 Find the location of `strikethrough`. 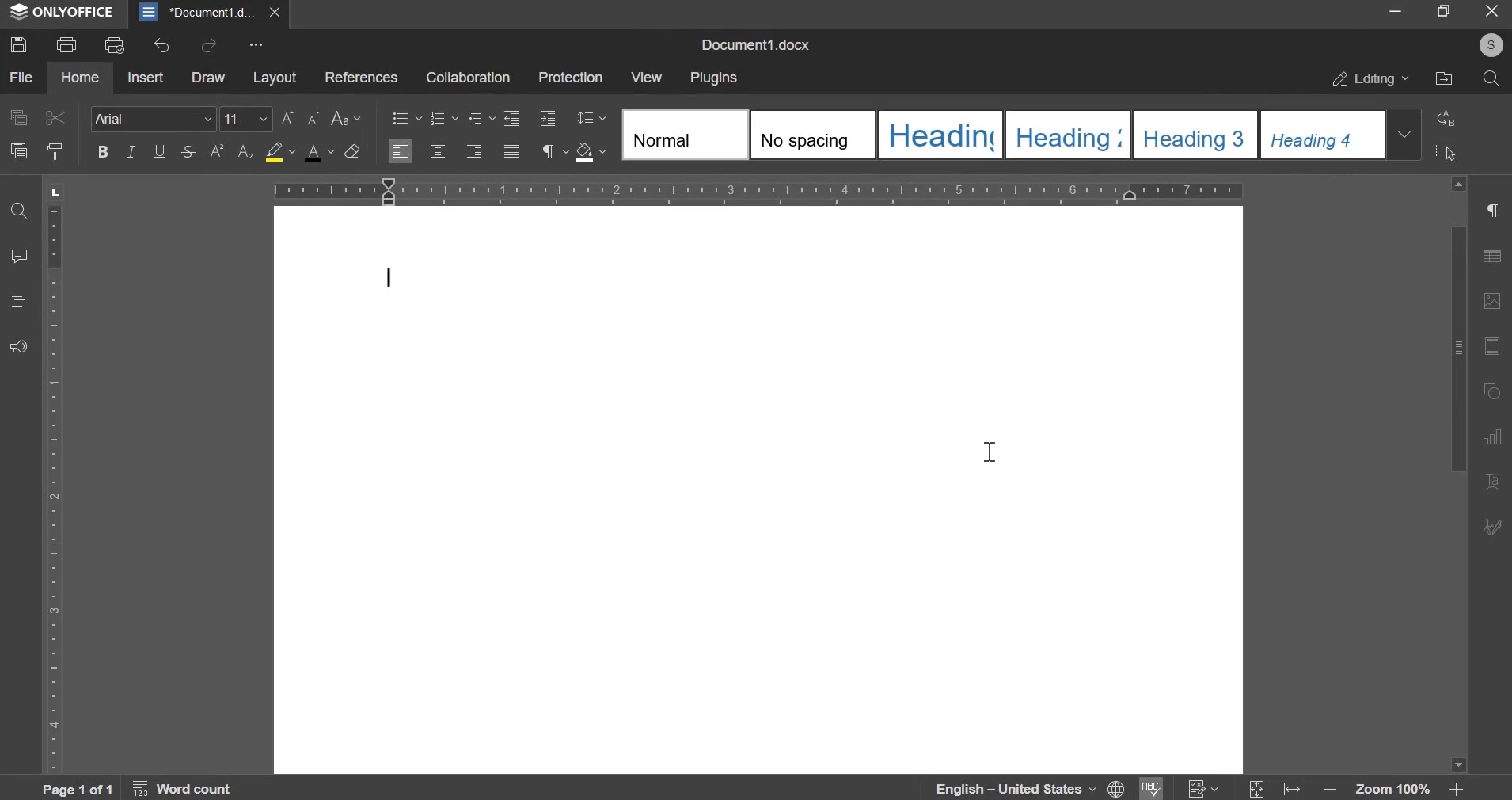

strikethrough is located at coordinates (189, 153).